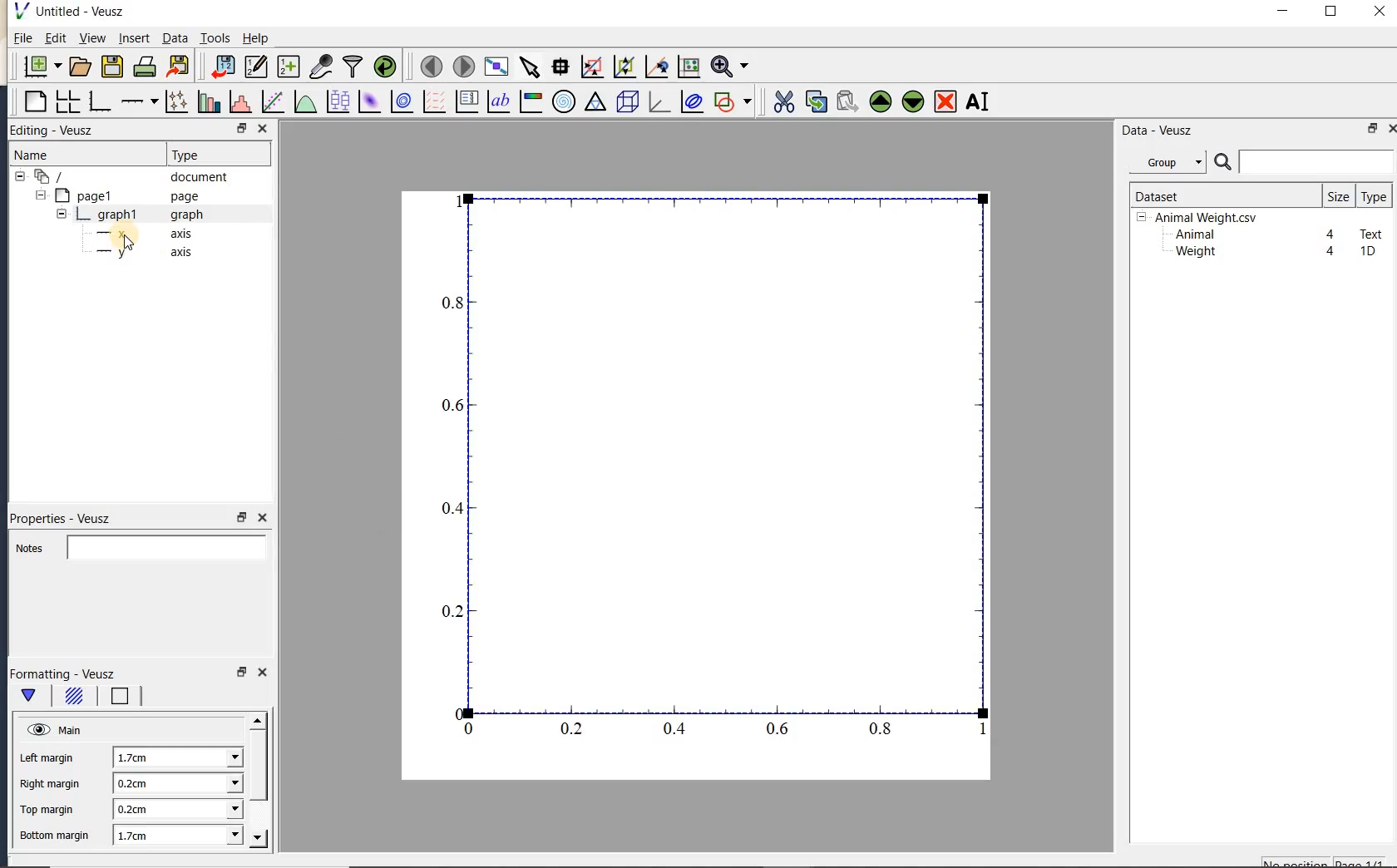 The image size is (1397, 868). Describe the element at coordinates (145, 67) in the screenshot. I see `print the document` at that location.